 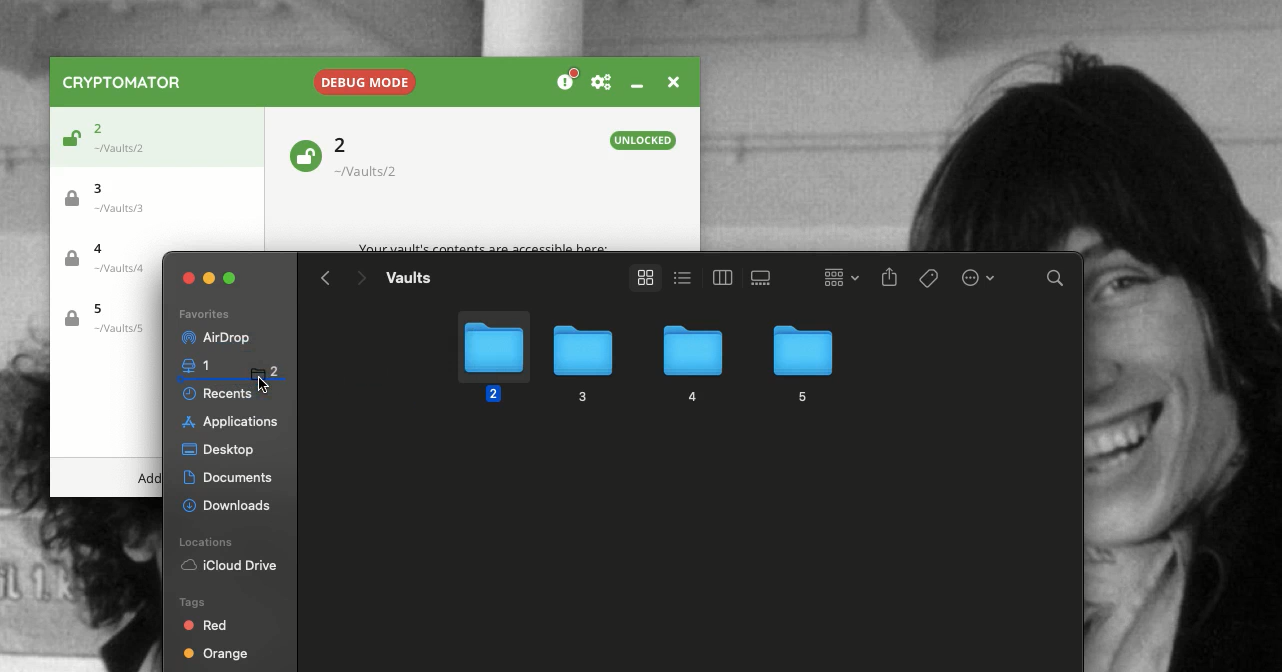 I want to click on Options, so click(x=976, y=276).